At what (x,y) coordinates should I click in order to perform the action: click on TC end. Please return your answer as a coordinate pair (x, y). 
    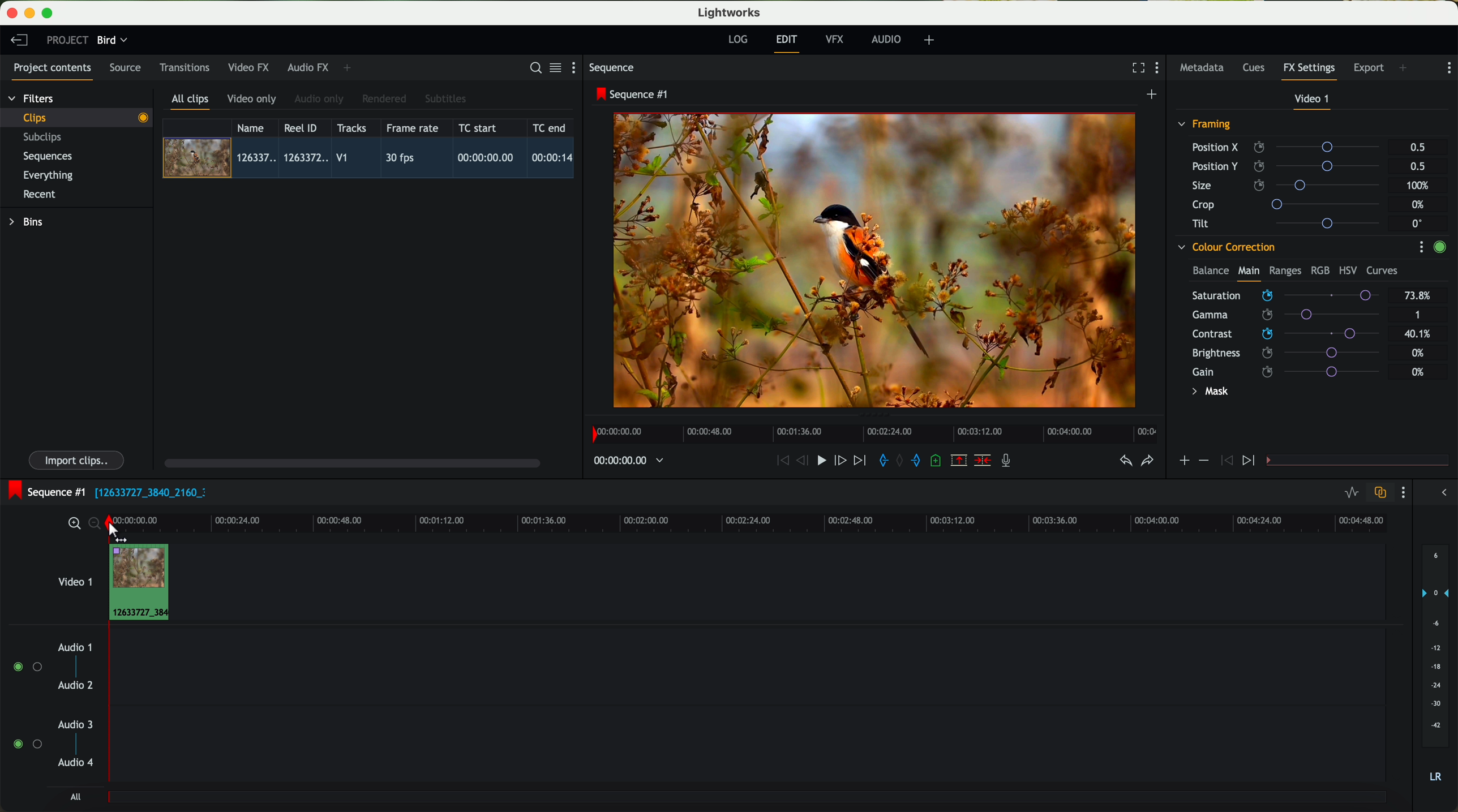
    Looking at the image, I should click on (550, 127).